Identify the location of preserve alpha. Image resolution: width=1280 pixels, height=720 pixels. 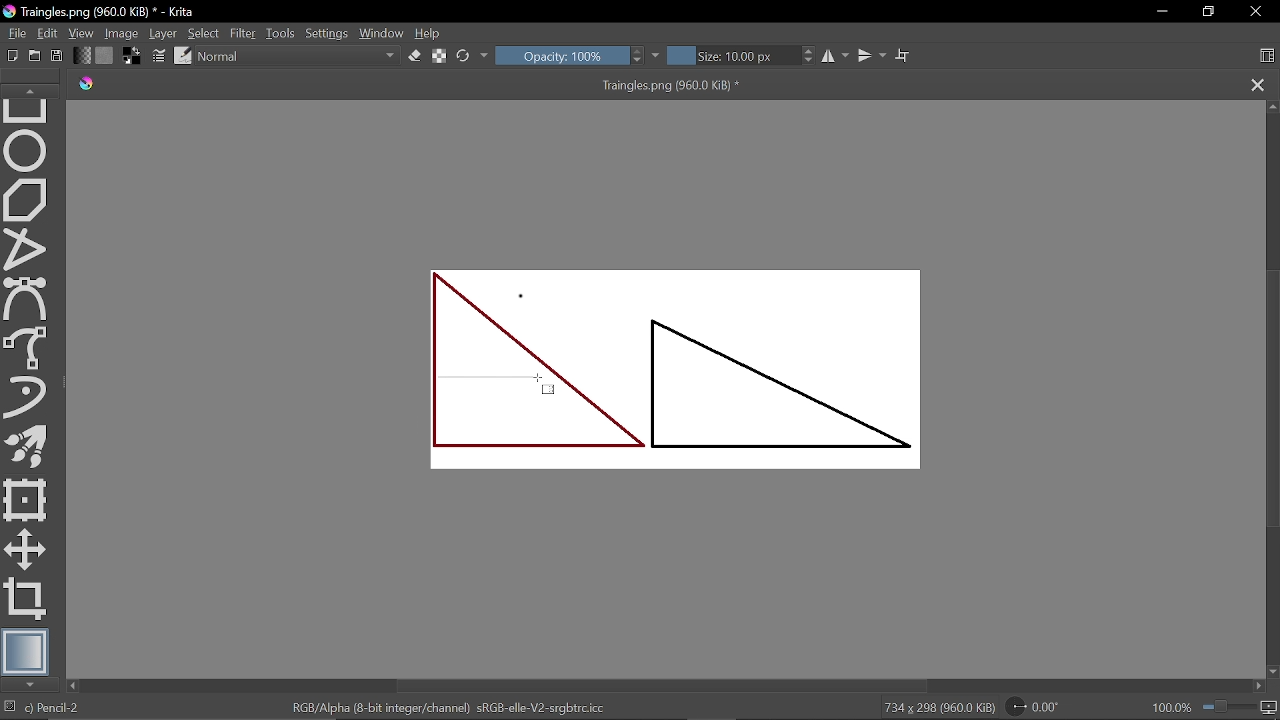
(440, 58).